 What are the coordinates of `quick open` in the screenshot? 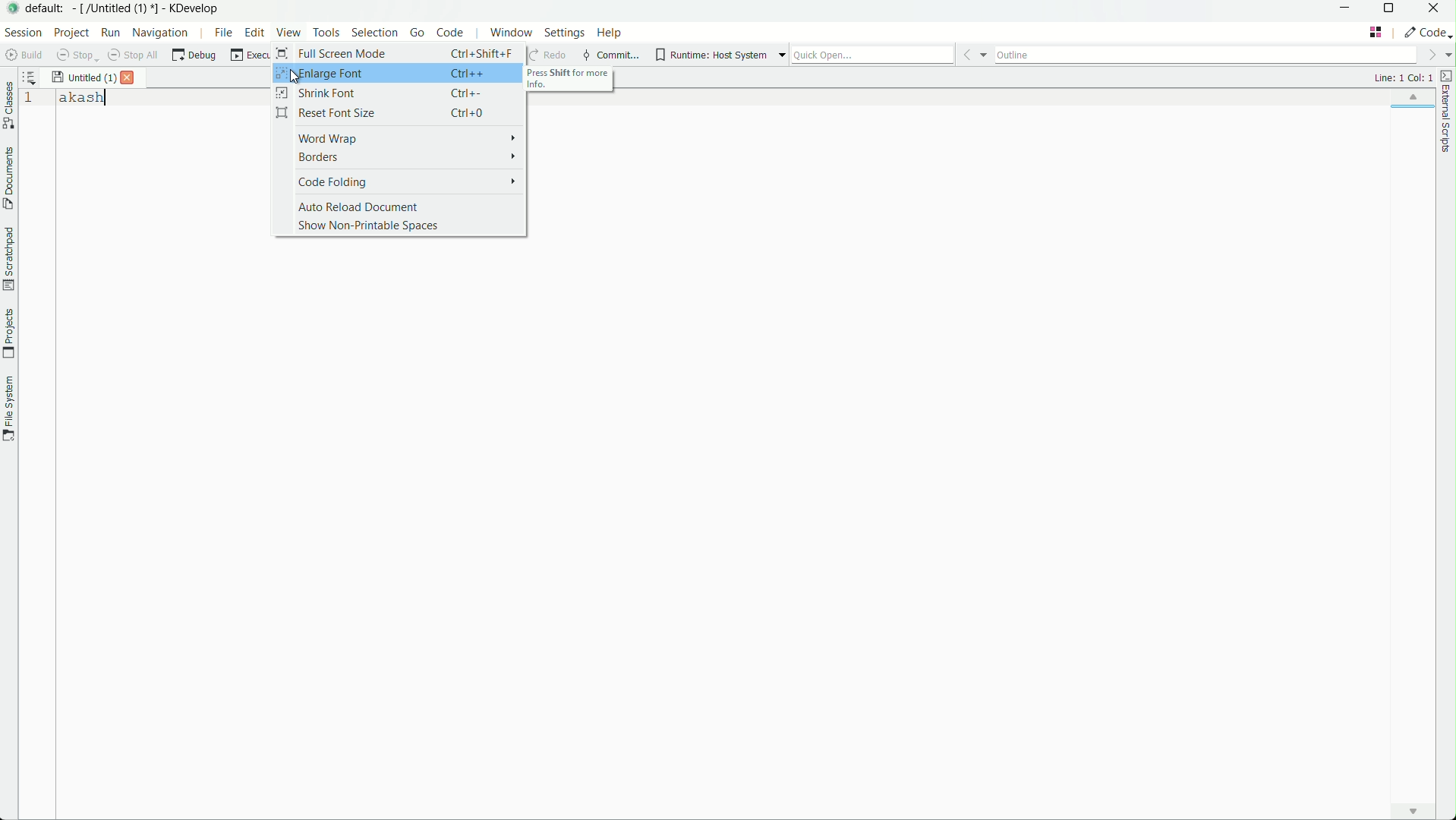 It's located at (873, 55).